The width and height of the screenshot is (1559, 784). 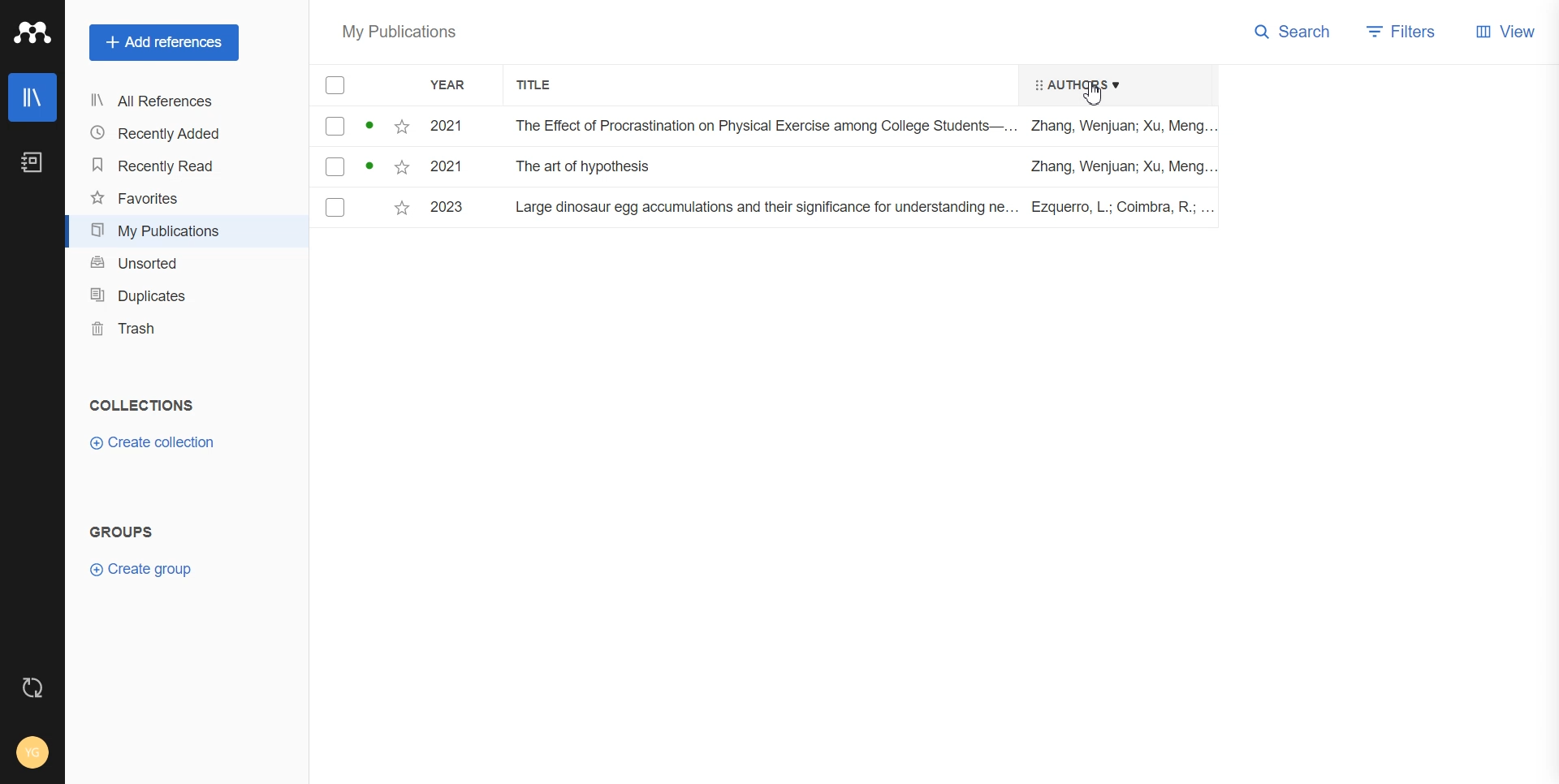 What do you see at coordinates (178, 101) in the screenshot?
I see `All References` at bounding box center [178, 101].